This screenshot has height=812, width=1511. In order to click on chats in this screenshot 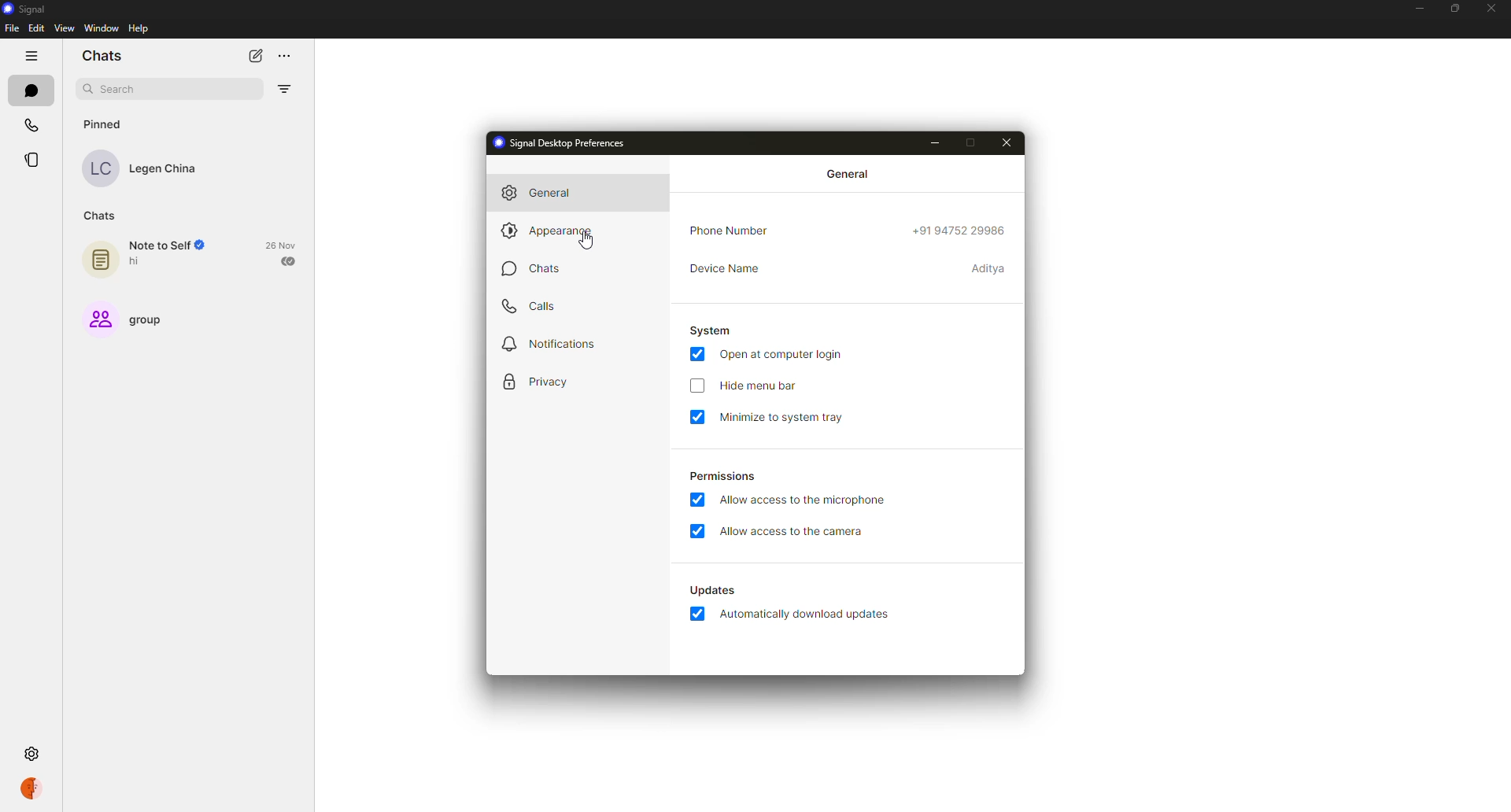, I will do `click(105, 56)`.